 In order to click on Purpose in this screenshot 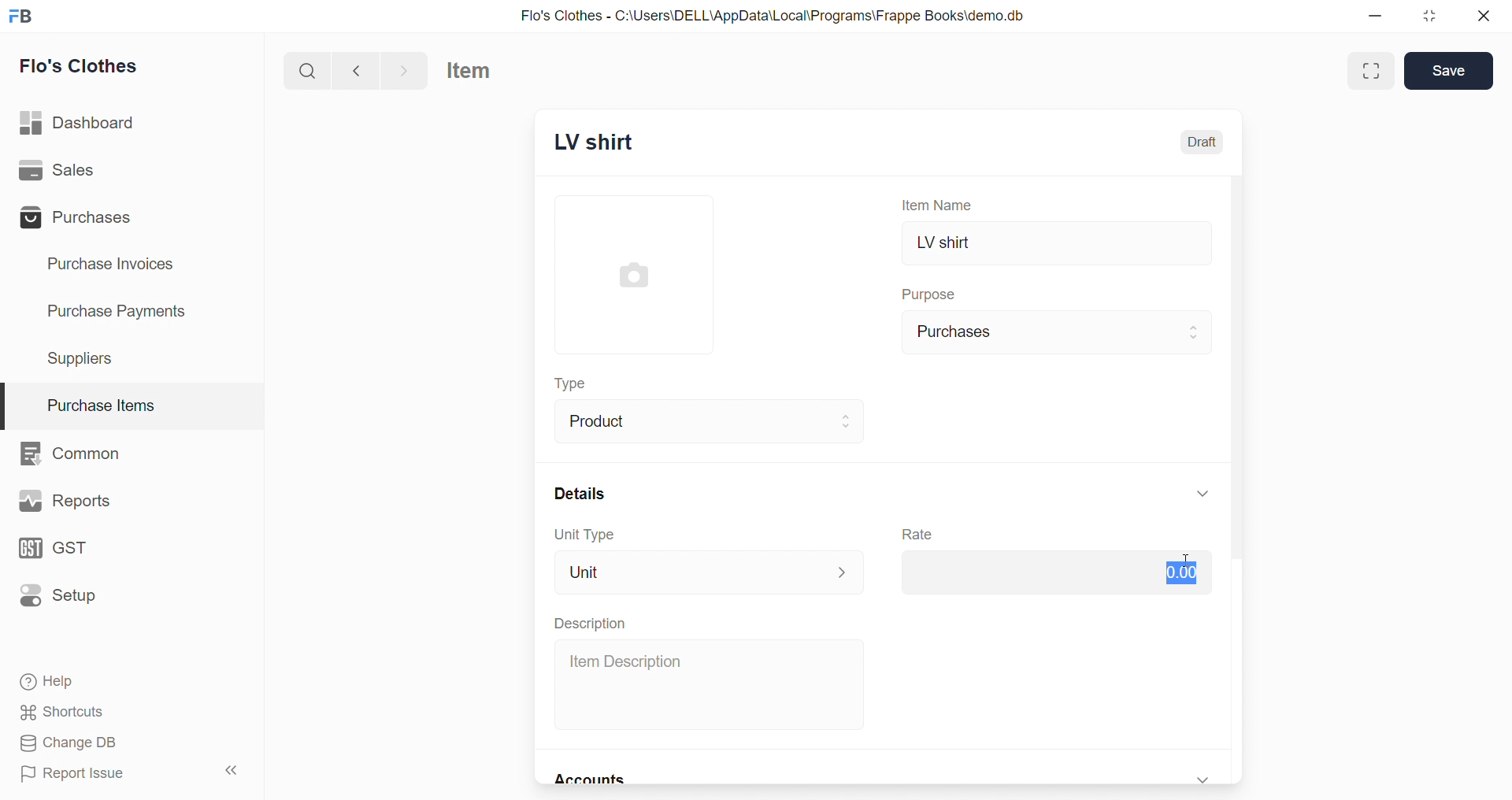, I will do `click(932, 292)`.